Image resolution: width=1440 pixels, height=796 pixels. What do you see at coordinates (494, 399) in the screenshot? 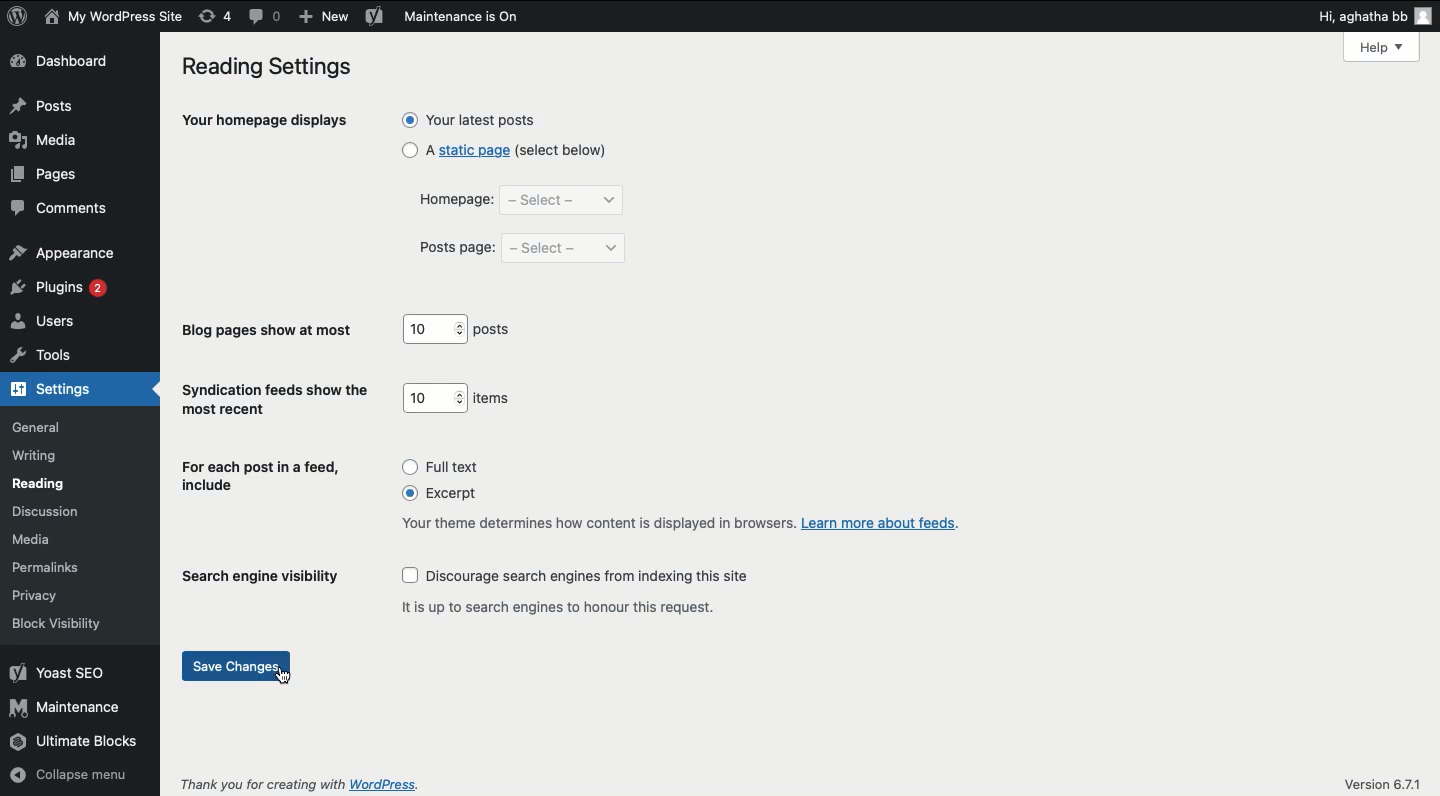
I see `items` at bounding box center [494, 399].